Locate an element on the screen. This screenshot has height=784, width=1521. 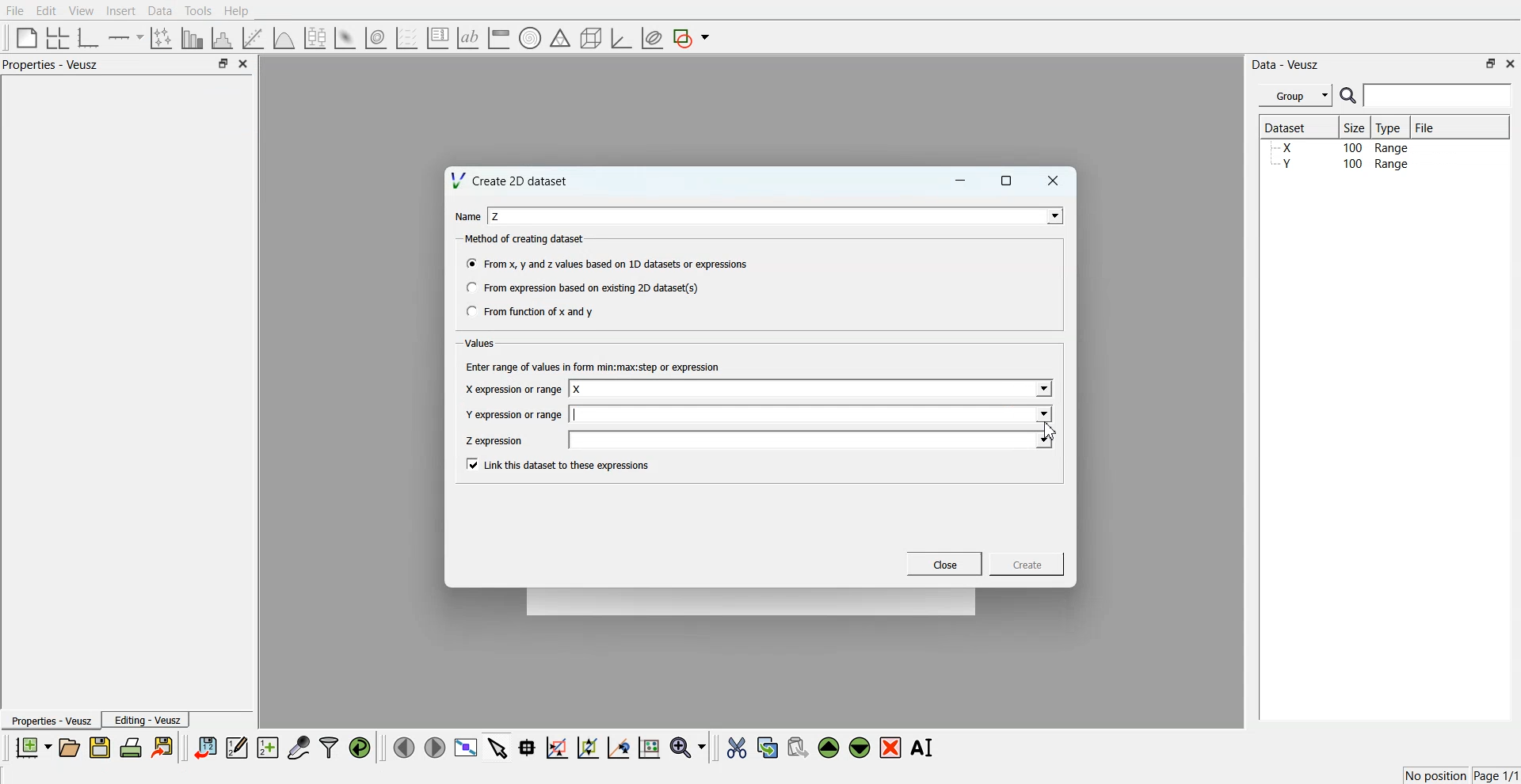
Drop down is located at coordinates (1042, 413).